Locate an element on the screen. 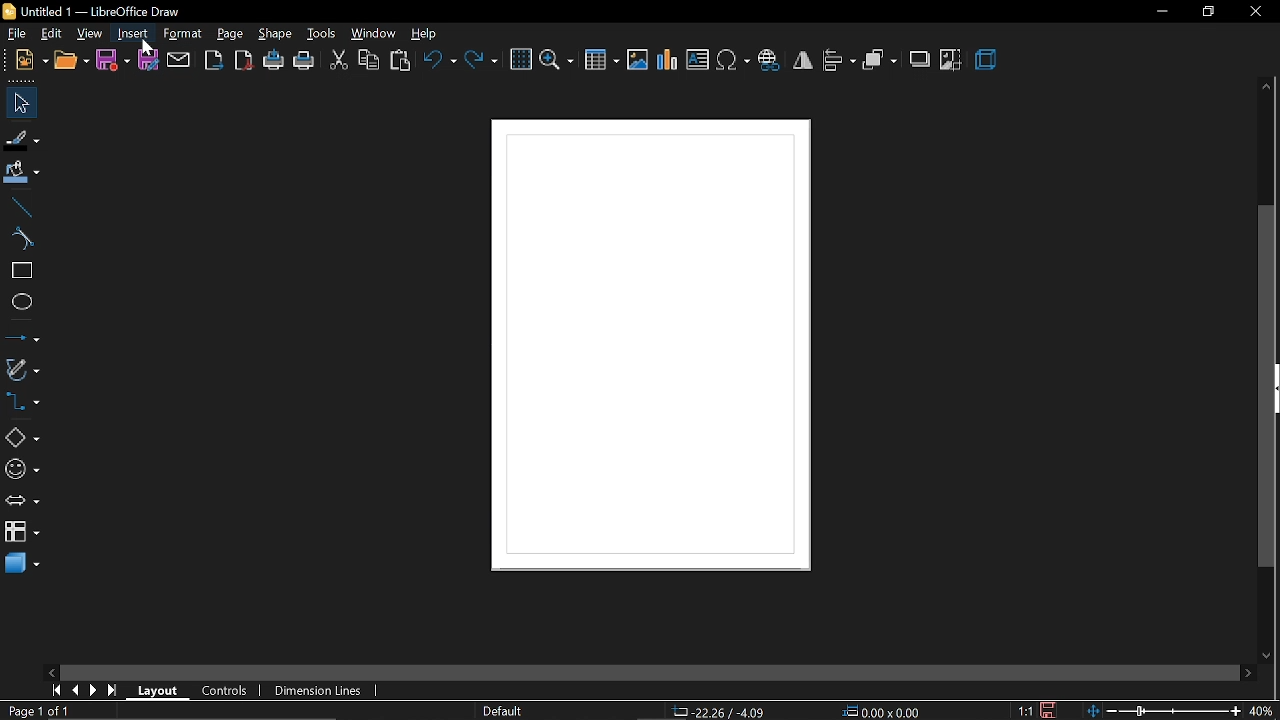 The image size is (1280, 720). file is located at coordinates (19, 34).